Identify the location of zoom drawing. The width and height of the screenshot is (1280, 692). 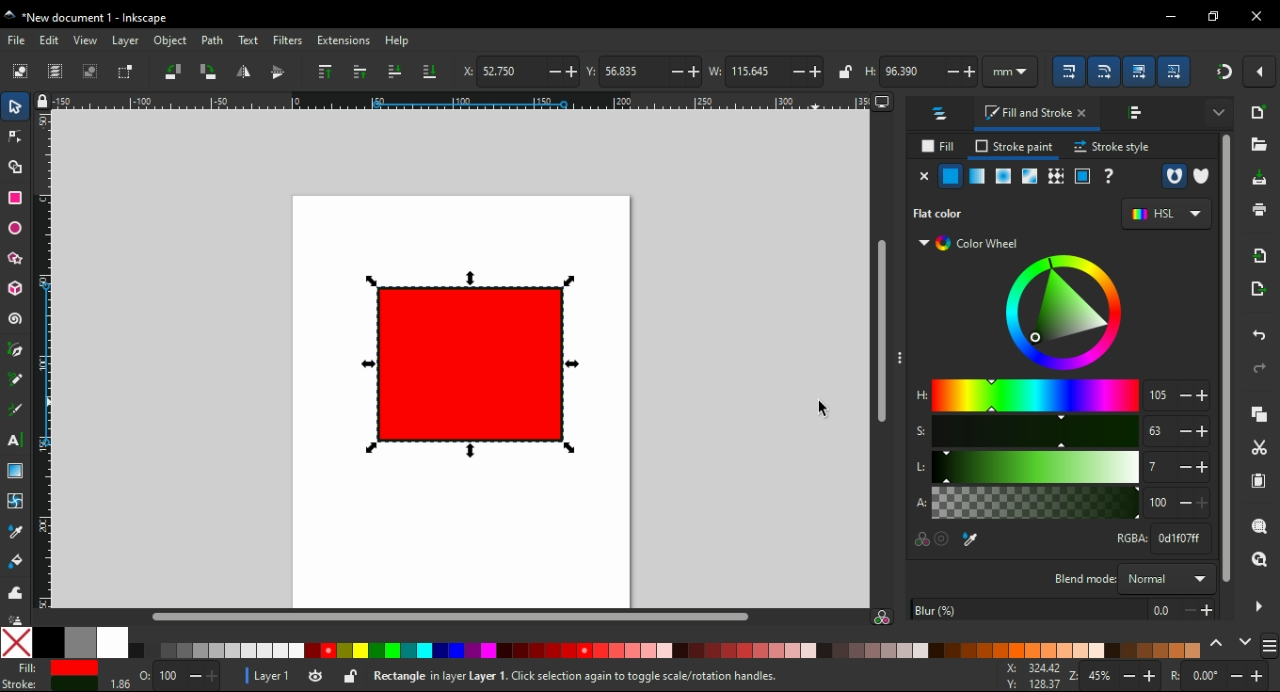
(1258, 561).